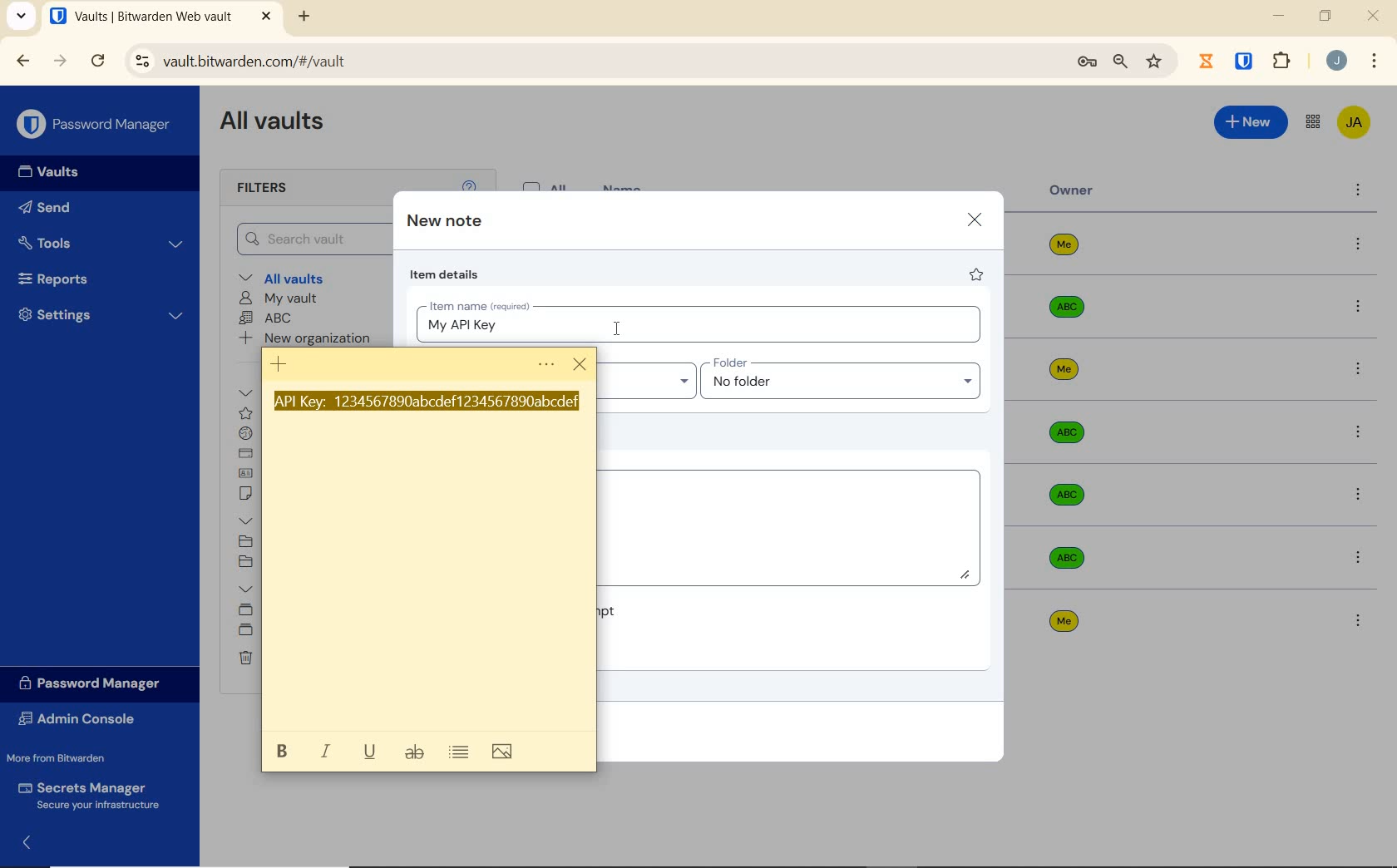  I want to click on shared folder, so click(248, 633).